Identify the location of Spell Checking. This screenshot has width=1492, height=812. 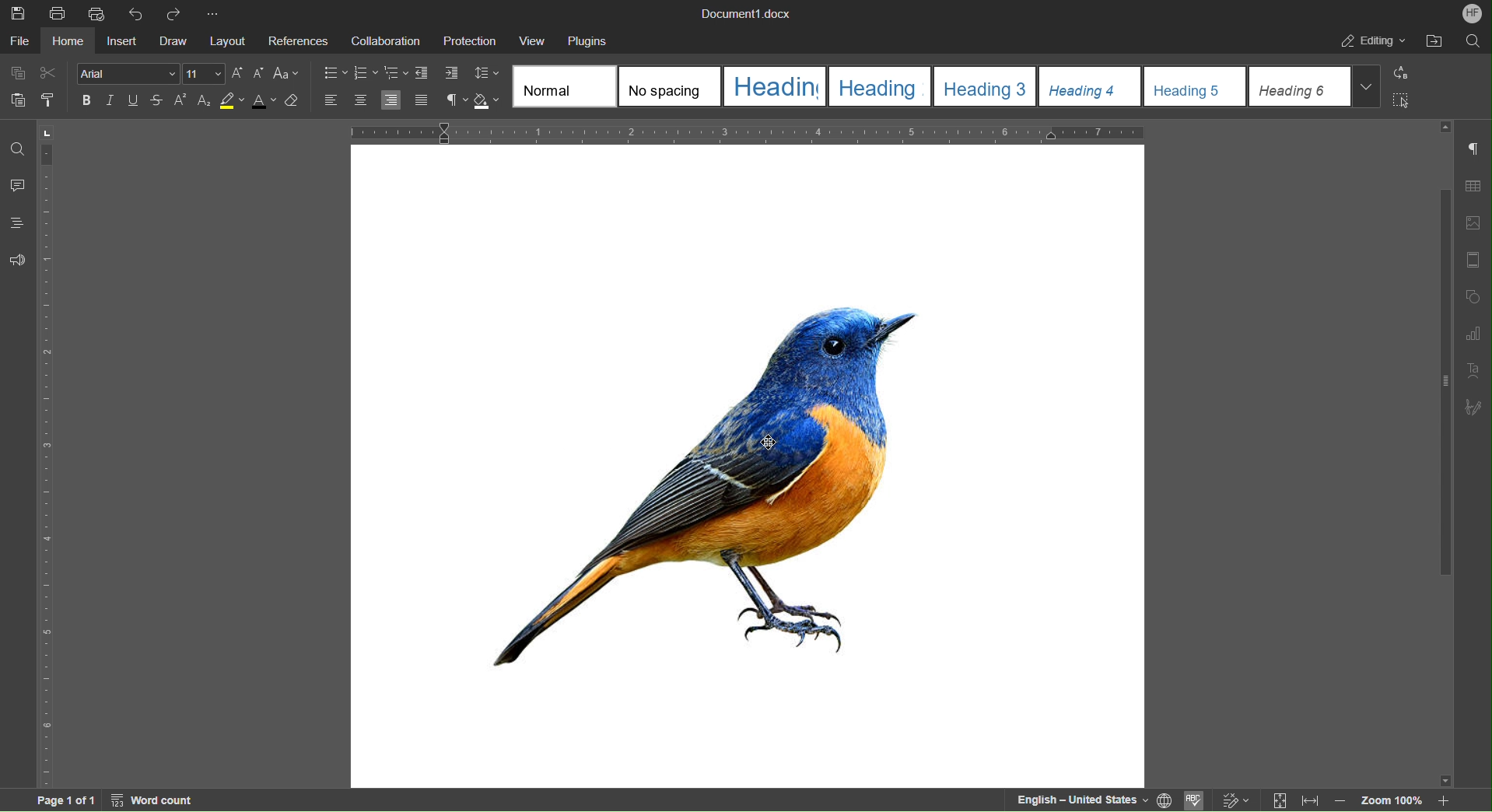
(1197, 799).